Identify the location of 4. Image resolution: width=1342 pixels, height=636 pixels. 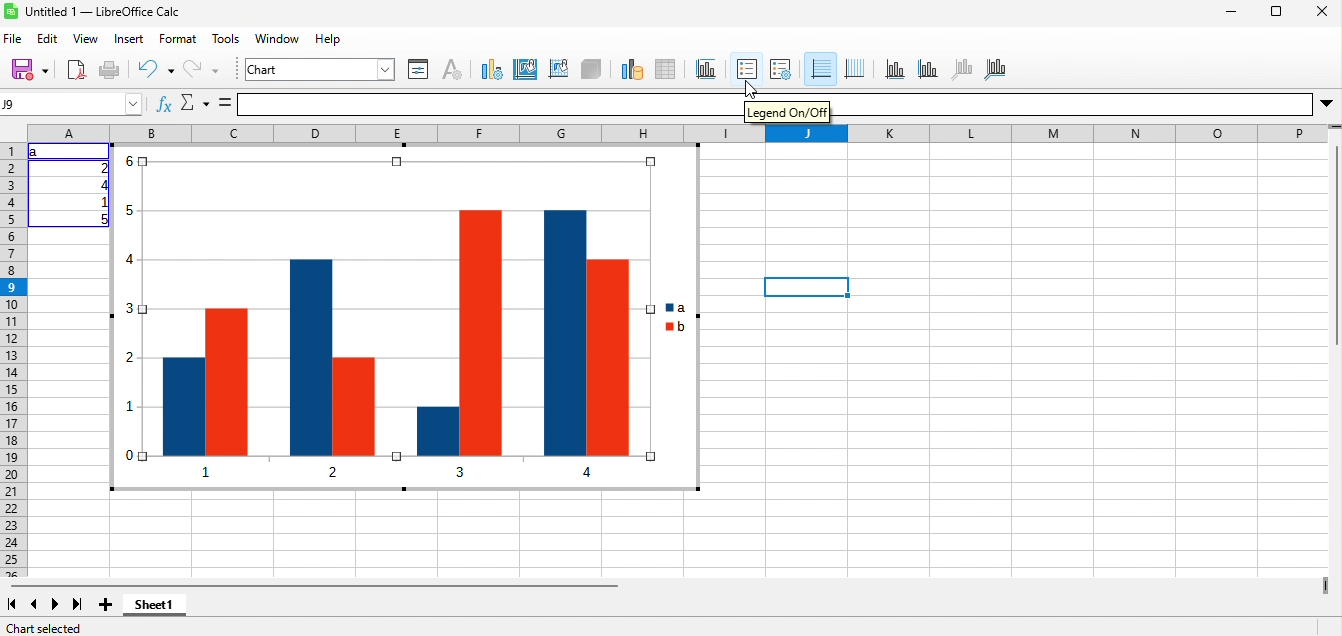
(103, 185).